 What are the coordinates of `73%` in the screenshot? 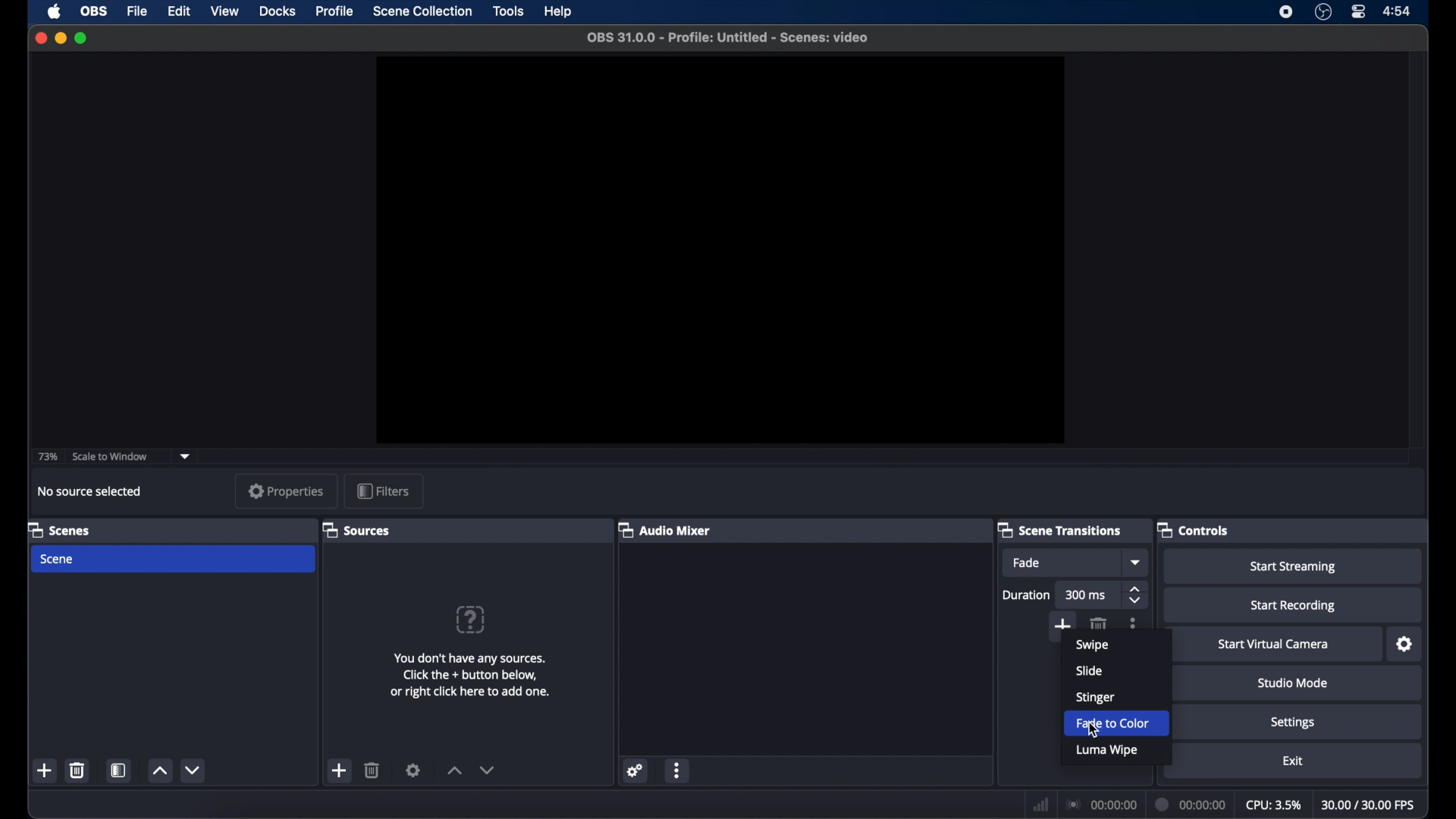 It's located at (46, 457).